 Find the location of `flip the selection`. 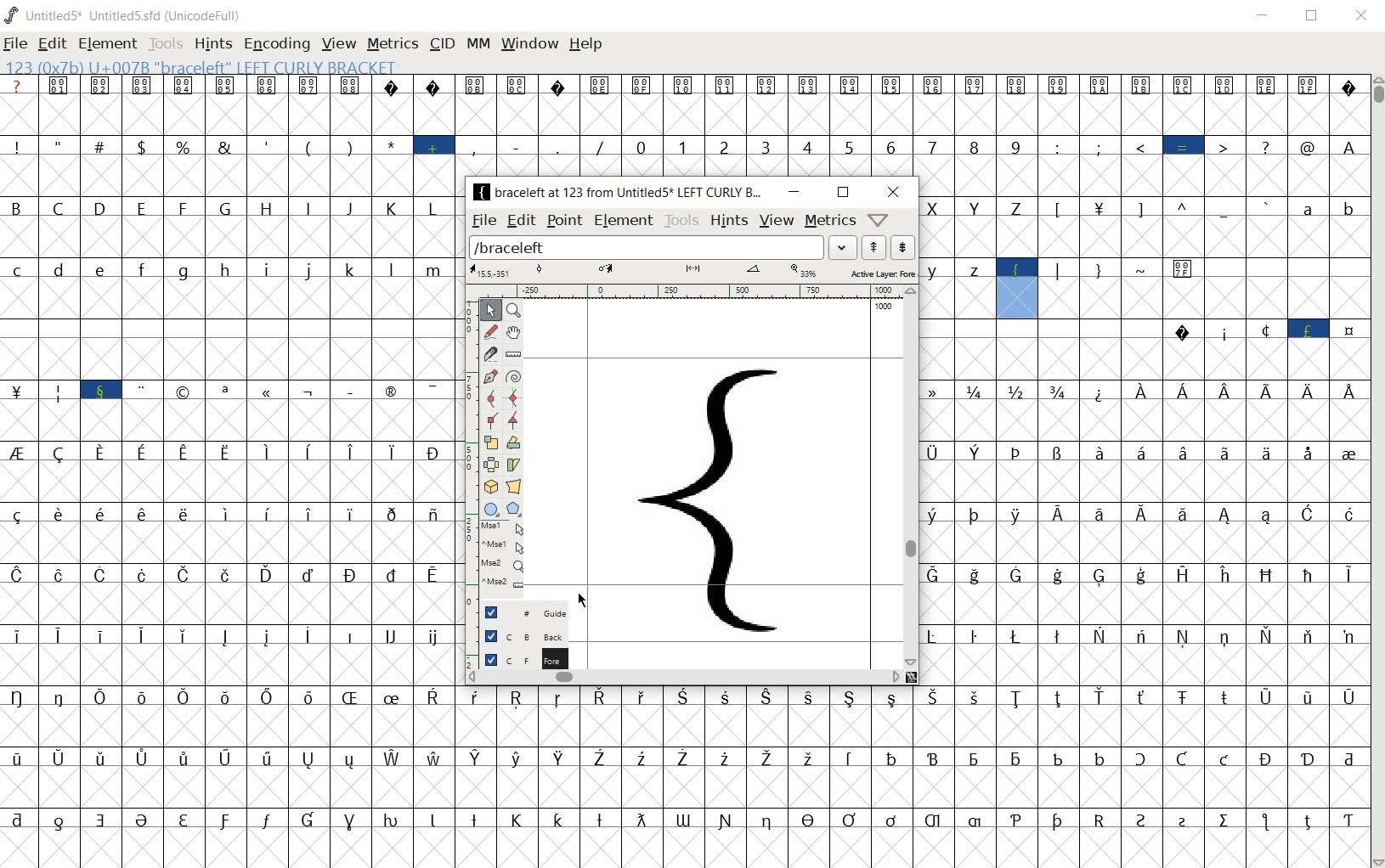

flip the selection is located at coordinates (515, 444).